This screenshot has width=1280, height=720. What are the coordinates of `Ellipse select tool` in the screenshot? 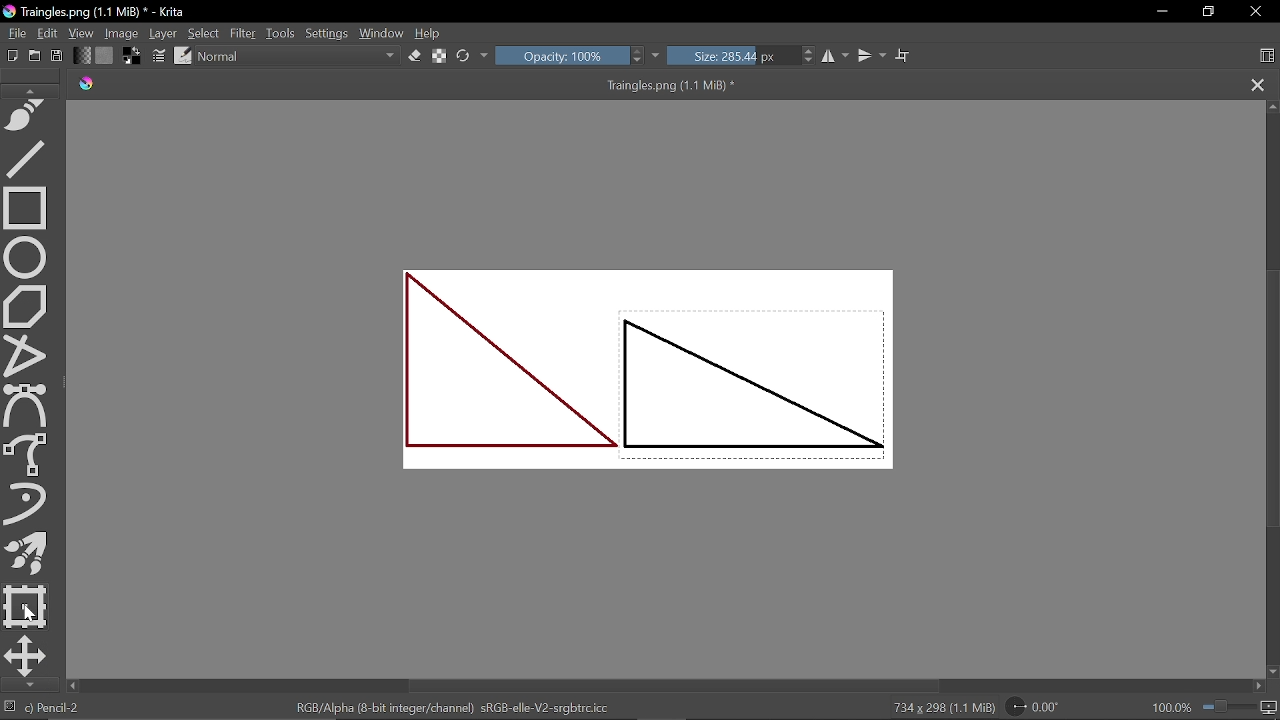 It's located at (29, 255).